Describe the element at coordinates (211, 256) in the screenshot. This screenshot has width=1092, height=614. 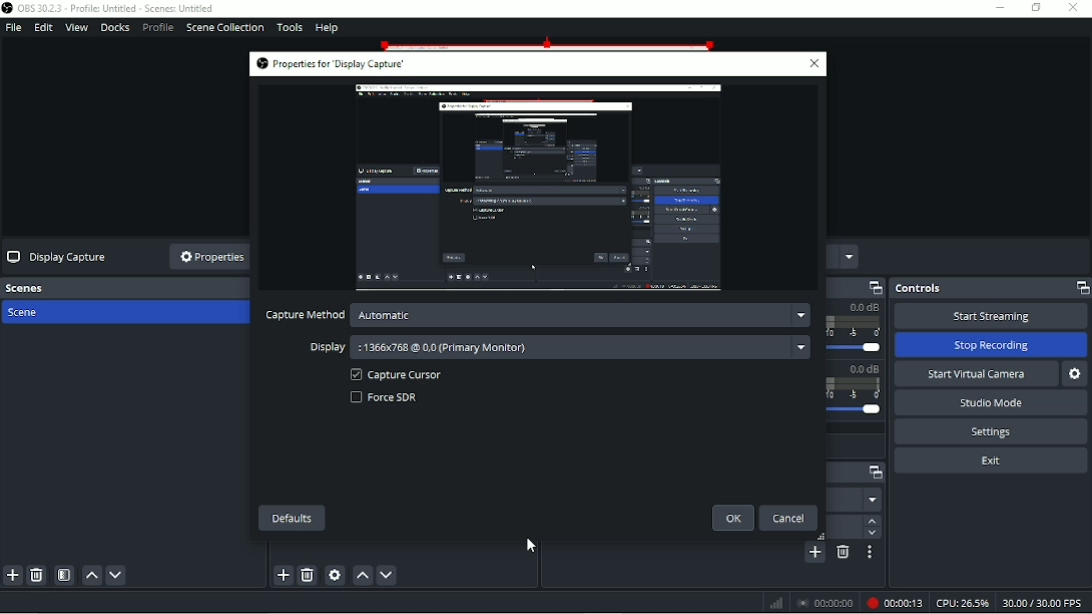
I see `Properties` at that location.